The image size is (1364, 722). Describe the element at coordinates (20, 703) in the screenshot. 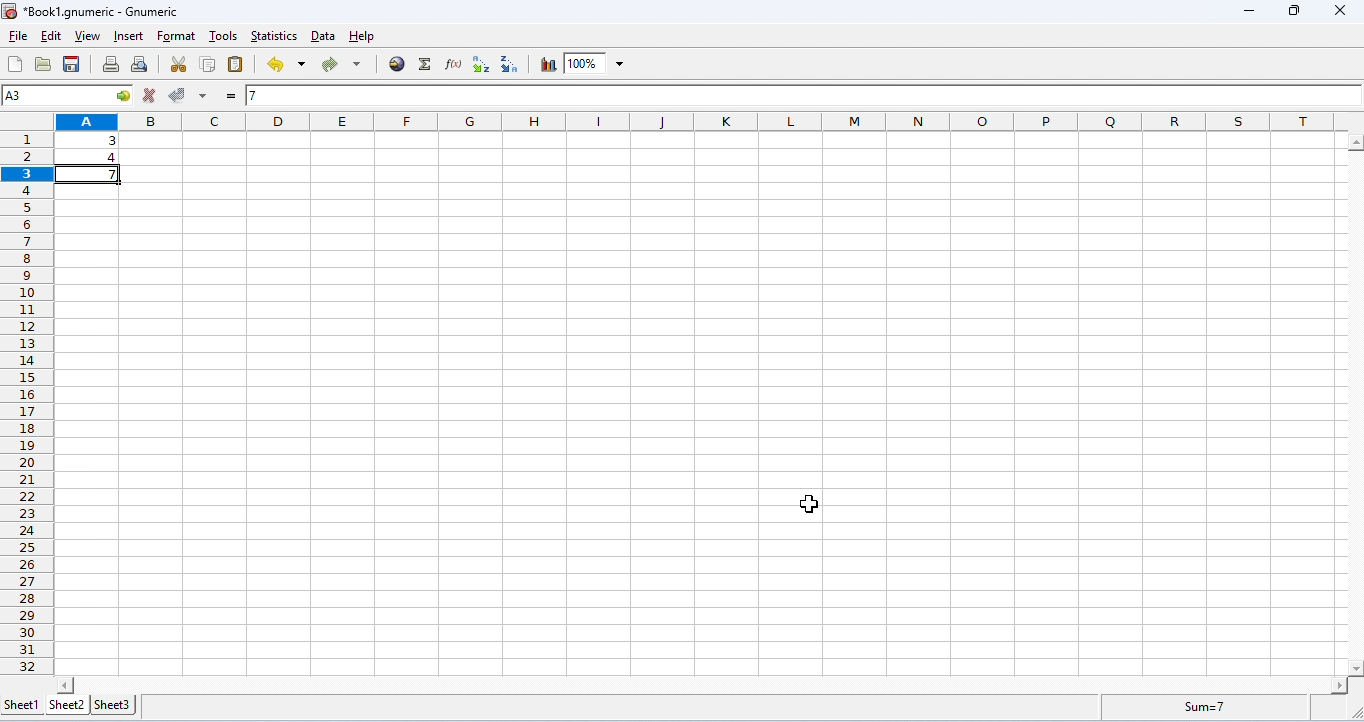

I see `sheet 1` at that location.